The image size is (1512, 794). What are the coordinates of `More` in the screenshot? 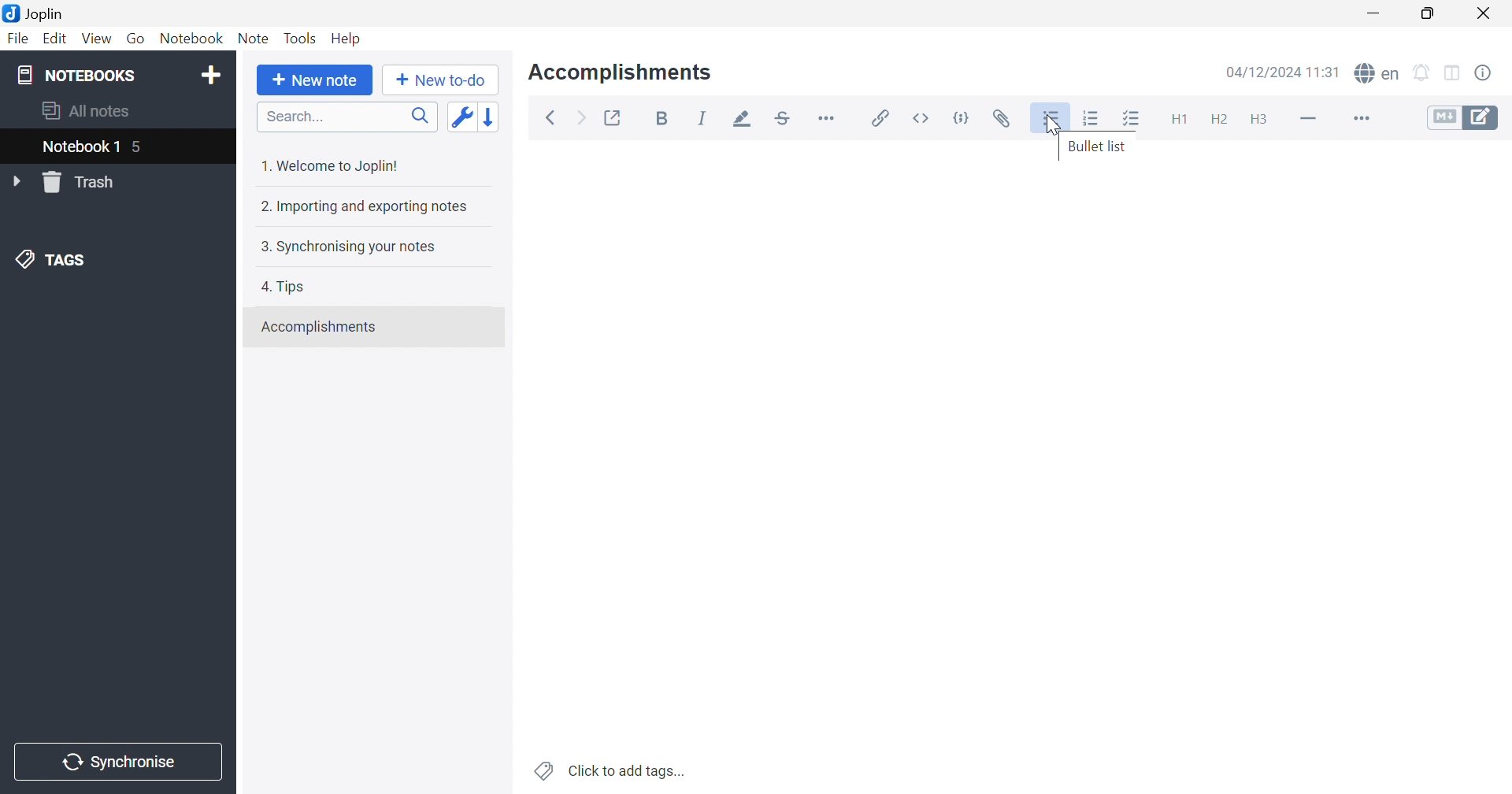 It's located at (1362, 121).